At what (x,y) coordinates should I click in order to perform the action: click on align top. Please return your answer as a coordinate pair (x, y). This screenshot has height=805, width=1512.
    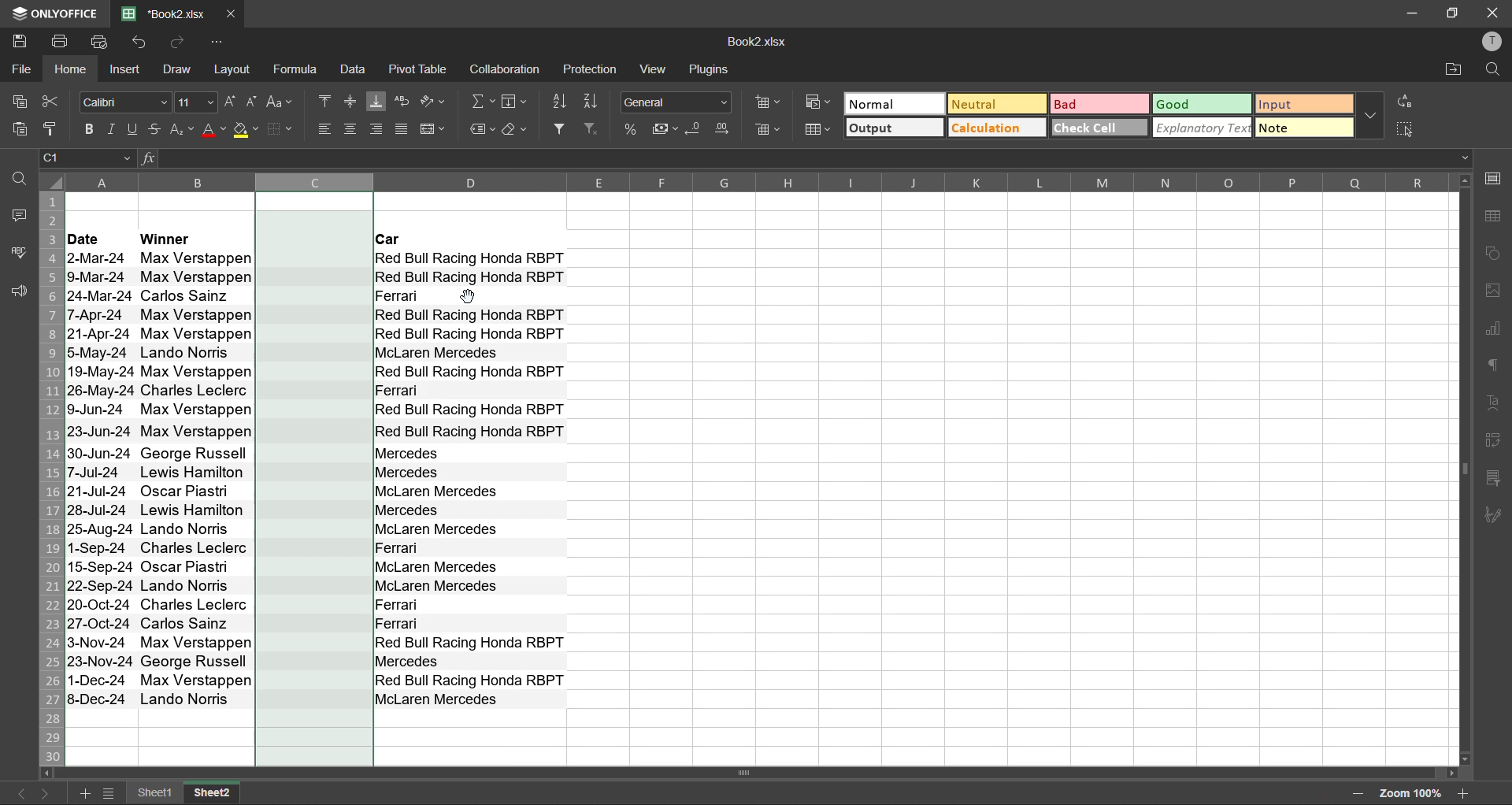
    Looking at the image, I should click on (325, 99).